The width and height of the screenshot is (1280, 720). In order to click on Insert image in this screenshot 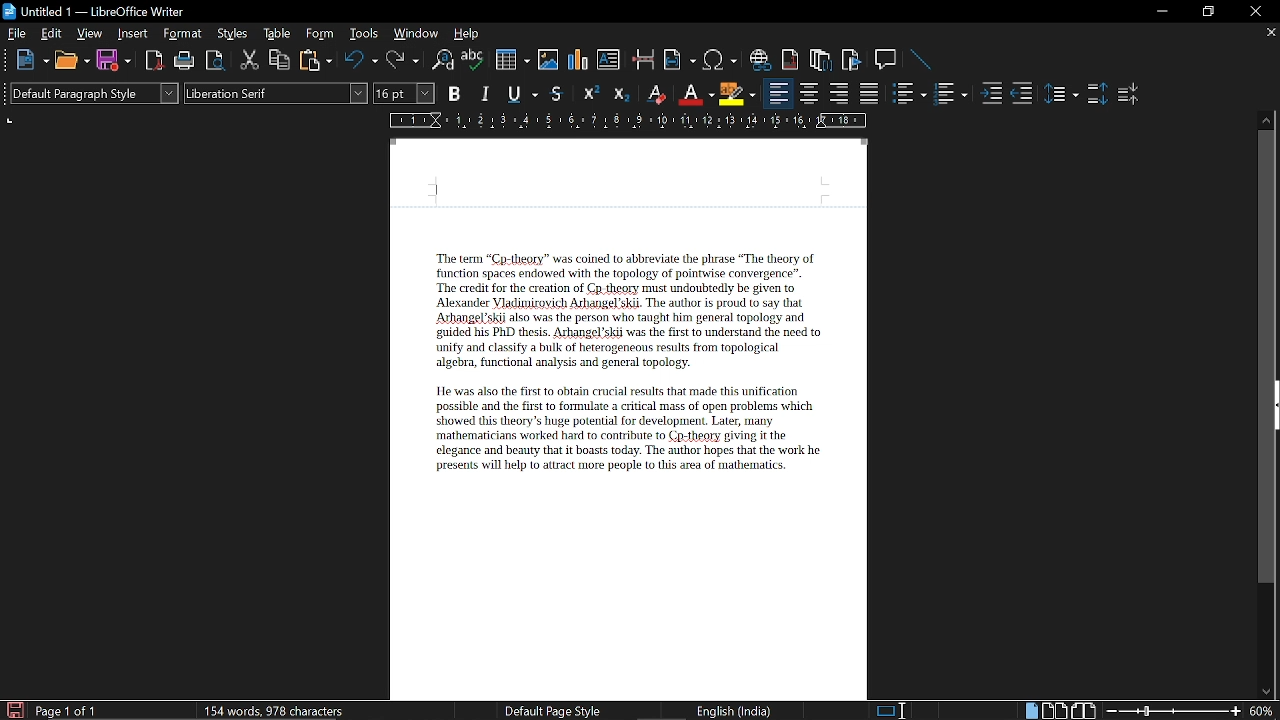, I will do `click(549, 58)`.